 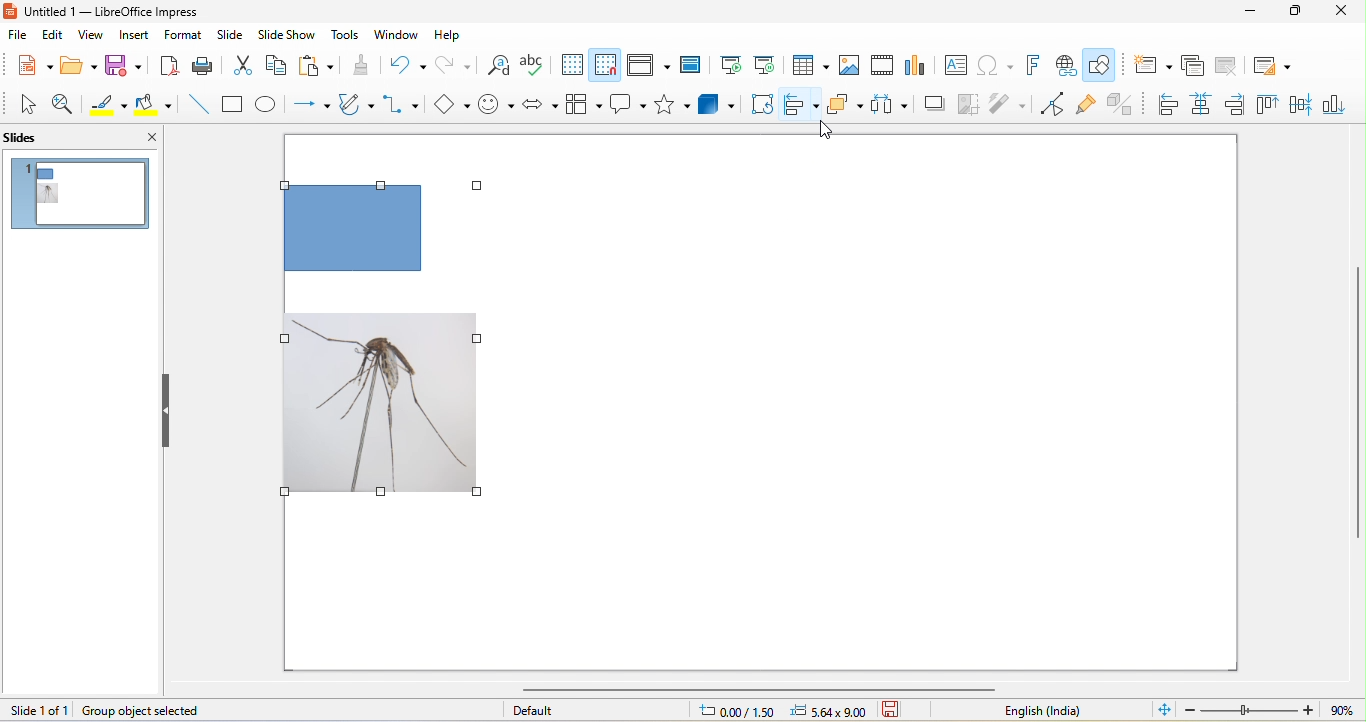 I want to click on block arrow, so click(x=543, y=104).